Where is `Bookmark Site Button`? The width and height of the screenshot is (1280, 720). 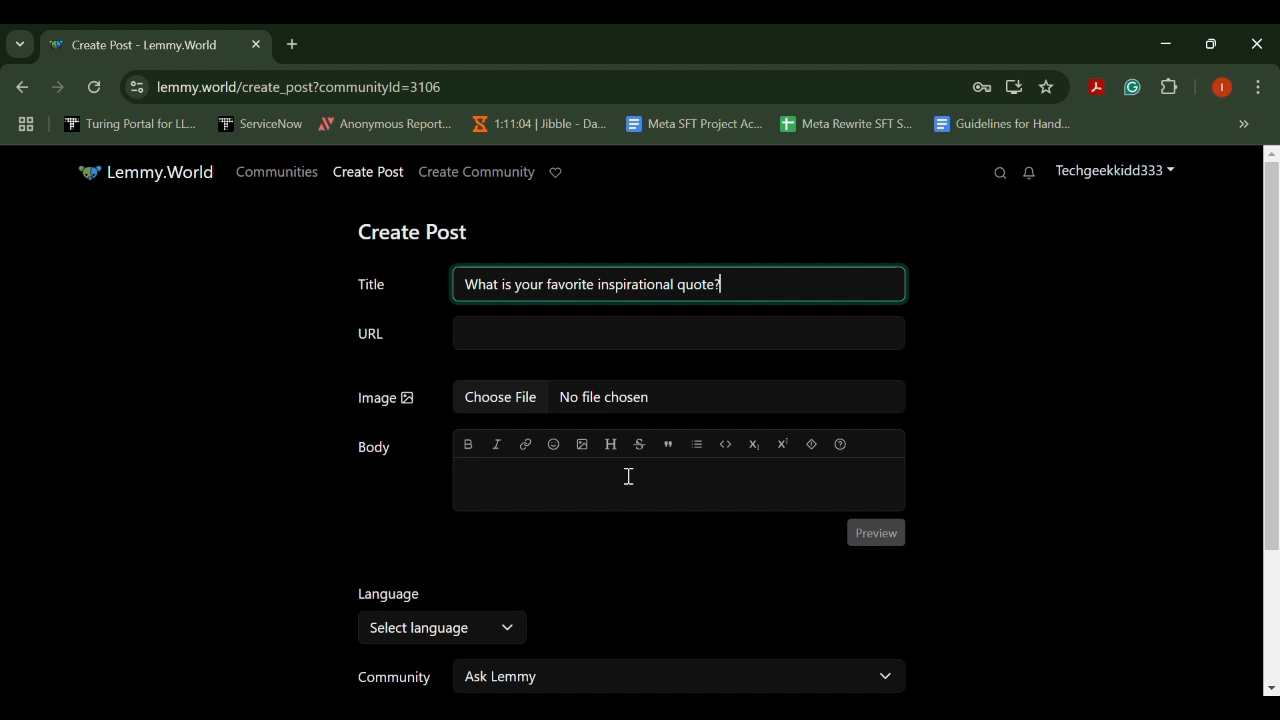
Bookmark Site Button is located at coordinates (1046, 88).